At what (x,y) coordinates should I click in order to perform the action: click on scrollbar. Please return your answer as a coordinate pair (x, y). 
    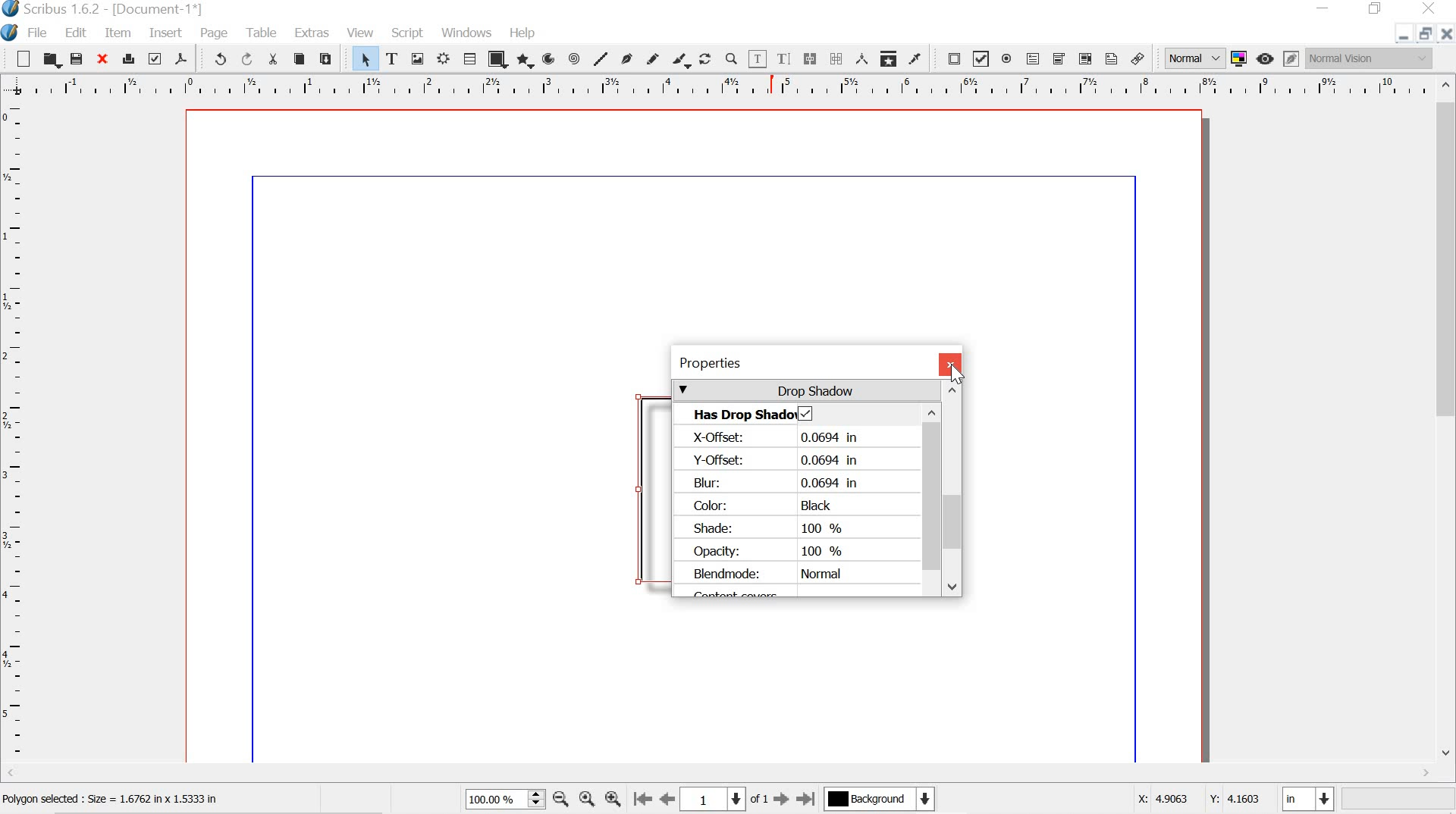
    Looking at the image, I should click on (1447, 418).